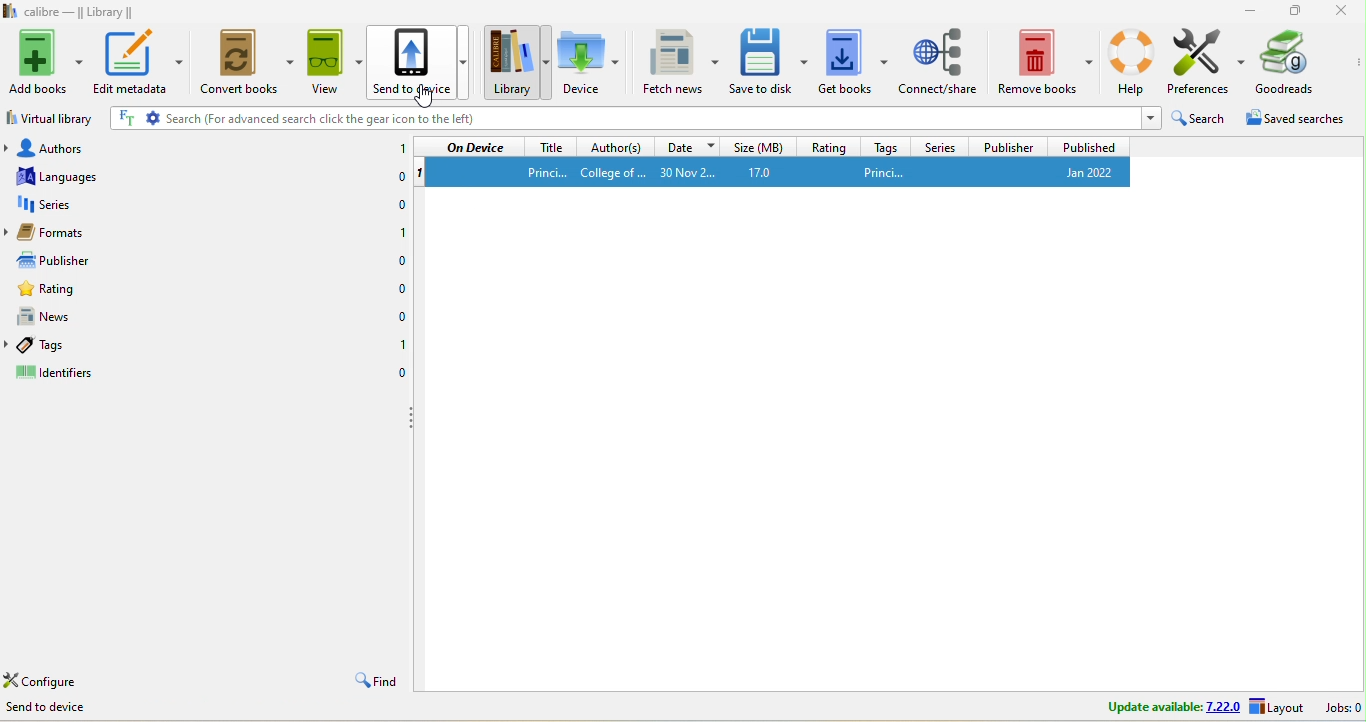  Describe the element at coordinates (392, 263) in the screenshot. I see `0` at that location.